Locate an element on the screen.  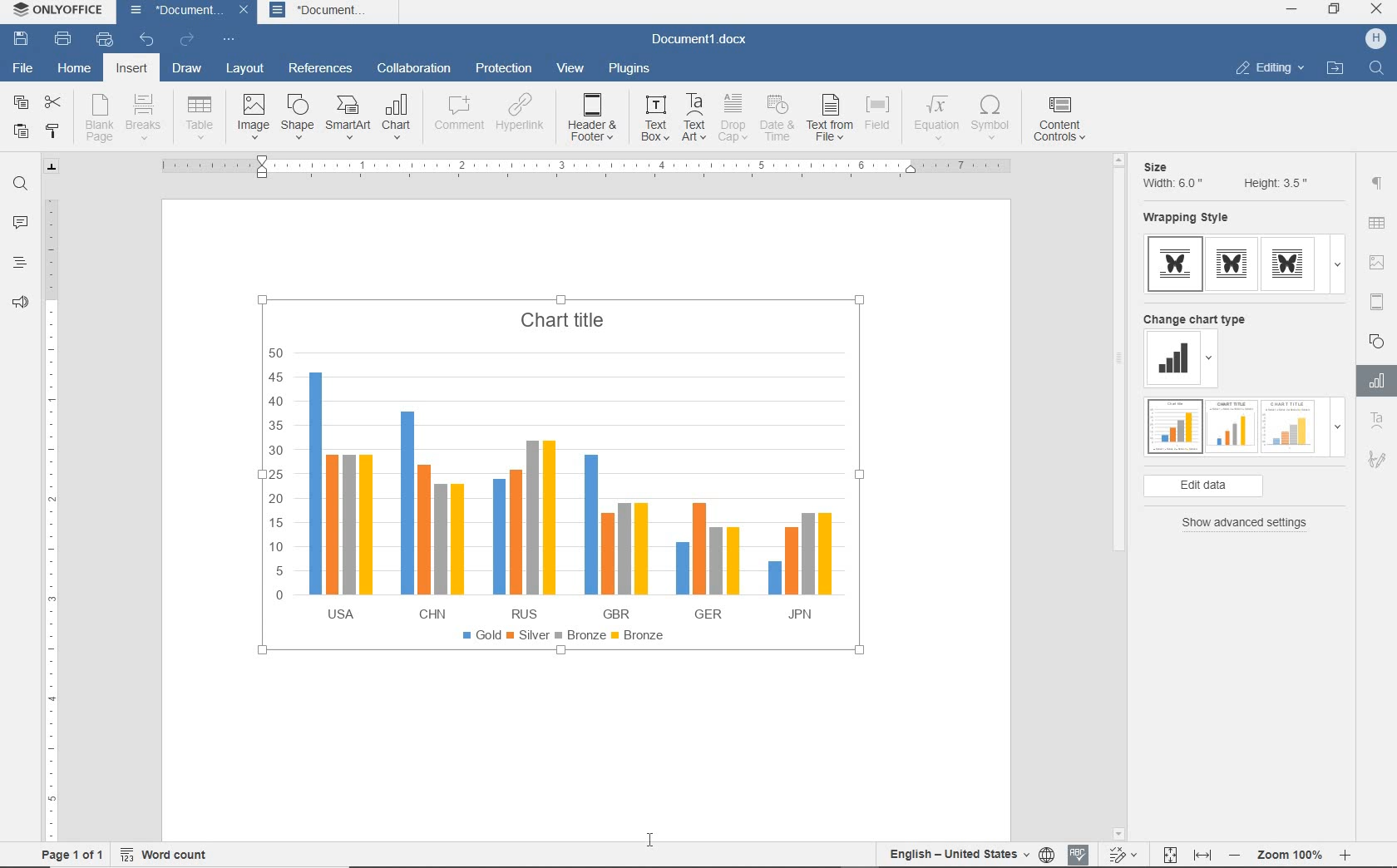
smart art is located at coordinates (348, 119).